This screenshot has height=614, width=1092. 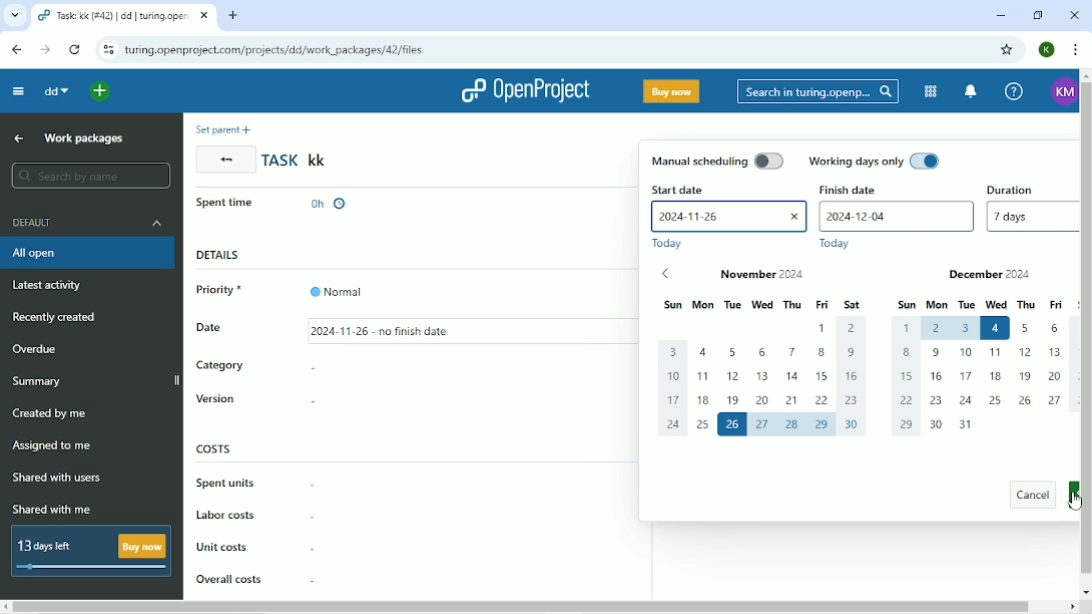 I want to click on Back, so click(x=16, y=50).